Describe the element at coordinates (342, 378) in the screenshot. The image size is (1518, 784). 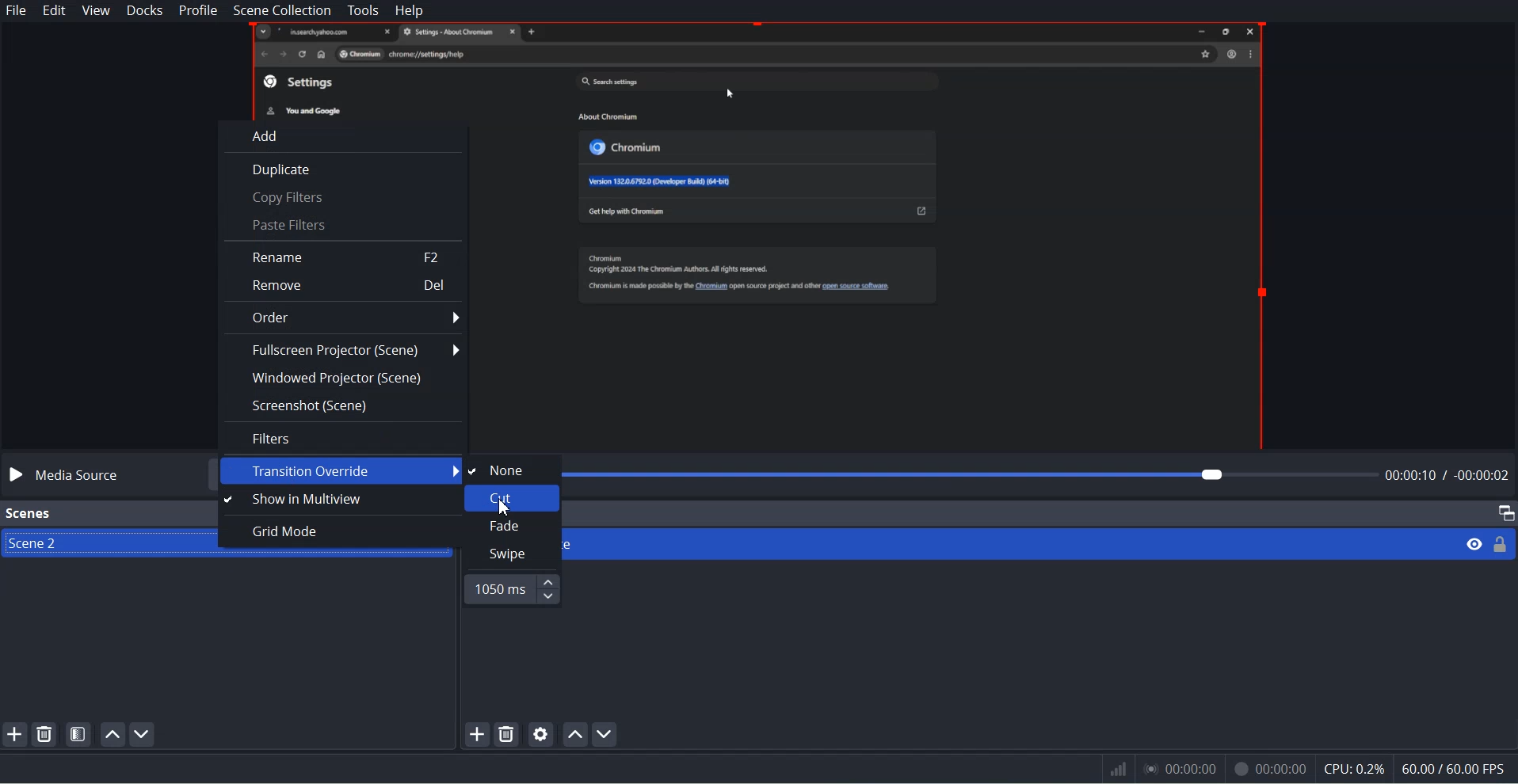
I see `Windowed Projector` at that location.